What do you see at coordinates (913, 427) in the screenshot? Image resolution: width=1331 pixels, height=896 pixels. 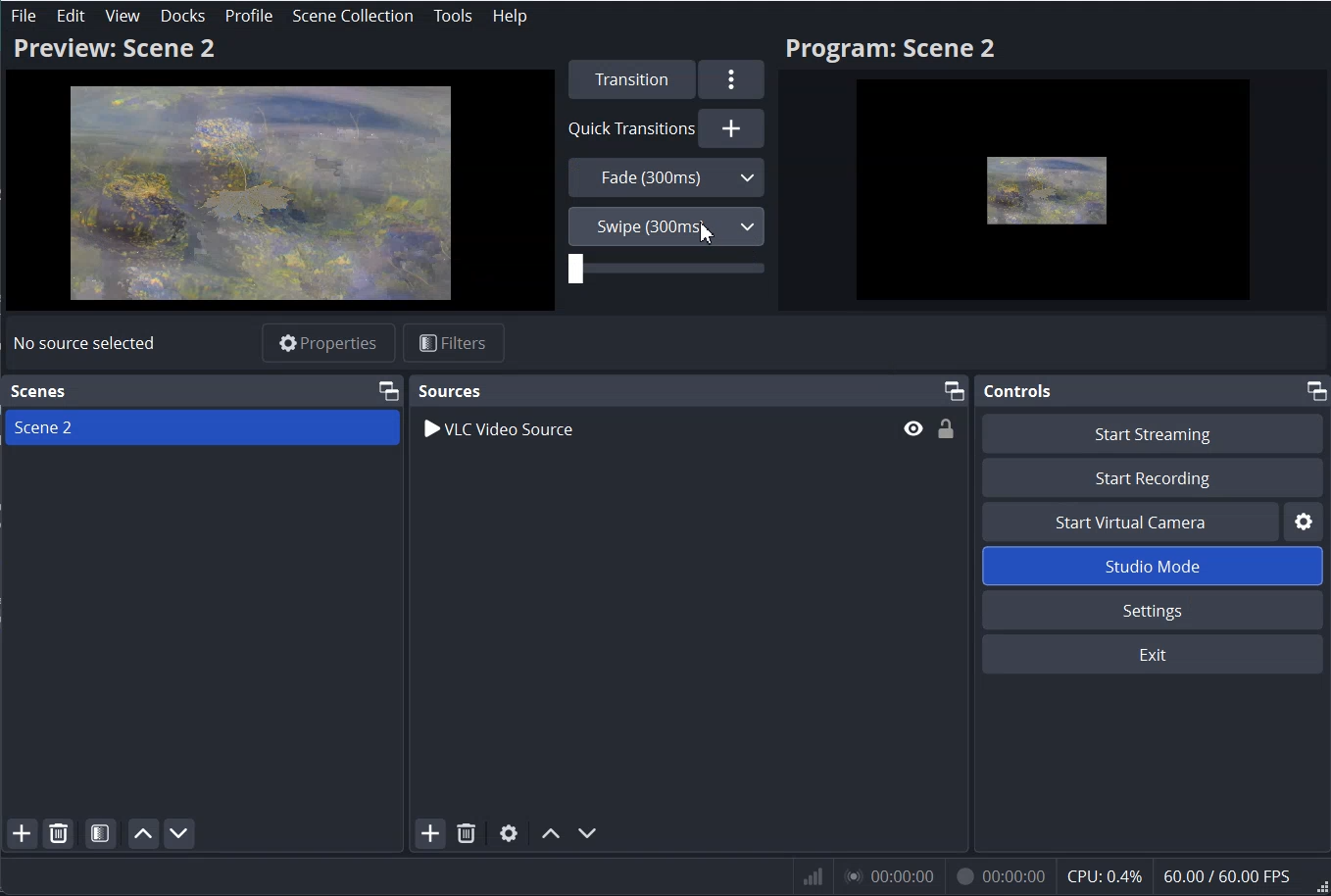 I see `Eye` at bounding box center [913, 427].